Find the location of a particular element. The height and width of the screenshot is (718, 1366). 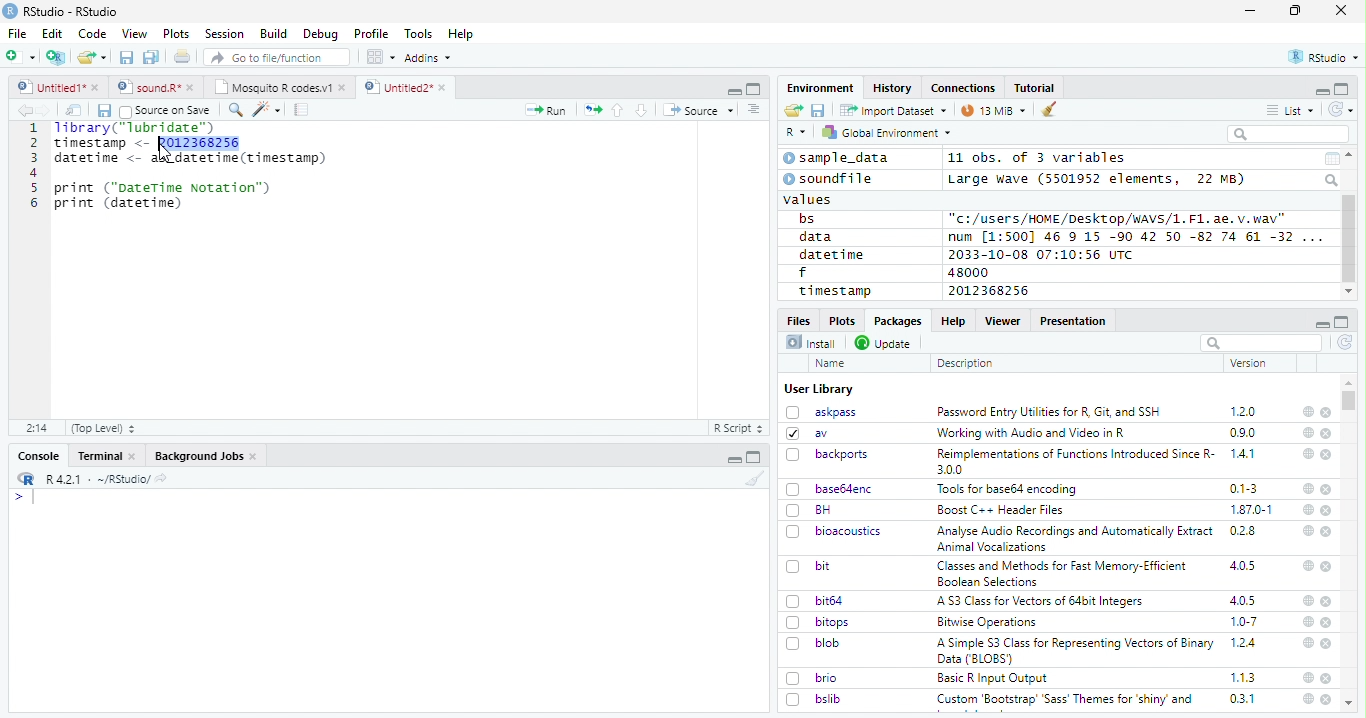

BH is located at coordinates (811, 510).